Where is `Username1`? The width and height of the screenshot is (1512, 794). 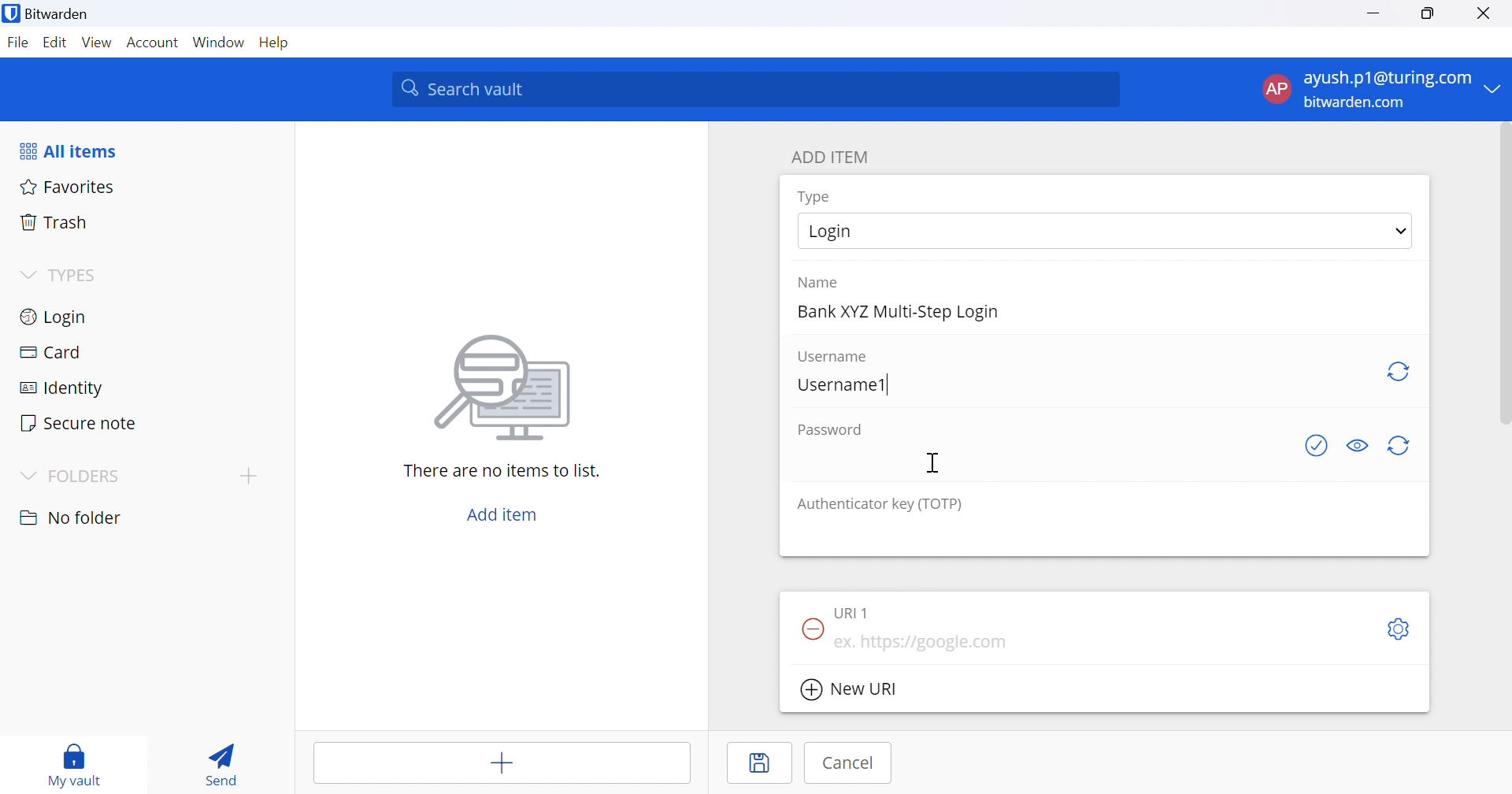 Username1 is located at coordinates (850, 386).